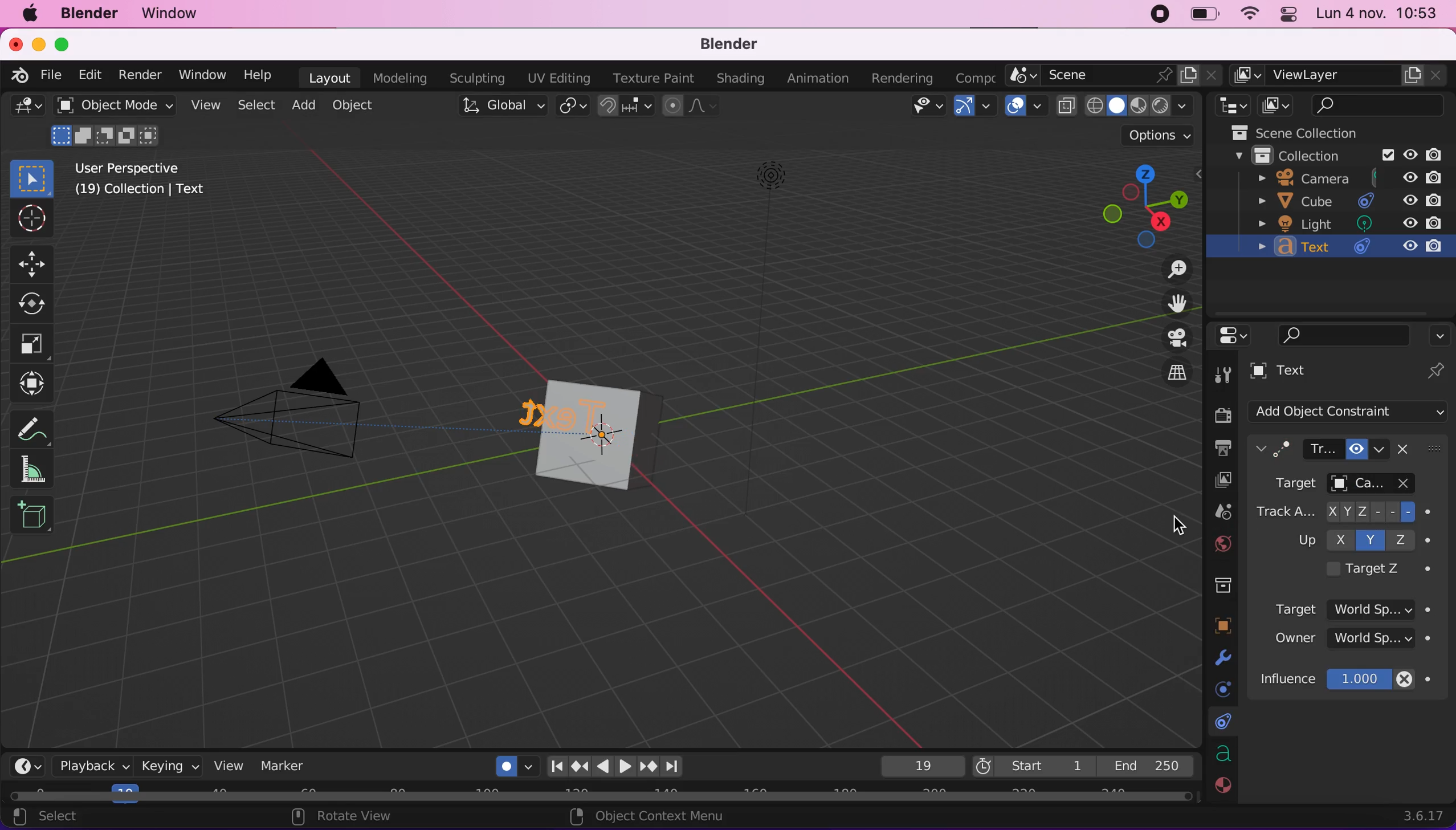 This screenshot has width=1456, height=830. Describe the element at coordinates (1238, 335) in the screenshot. I see `editor type` at that location.